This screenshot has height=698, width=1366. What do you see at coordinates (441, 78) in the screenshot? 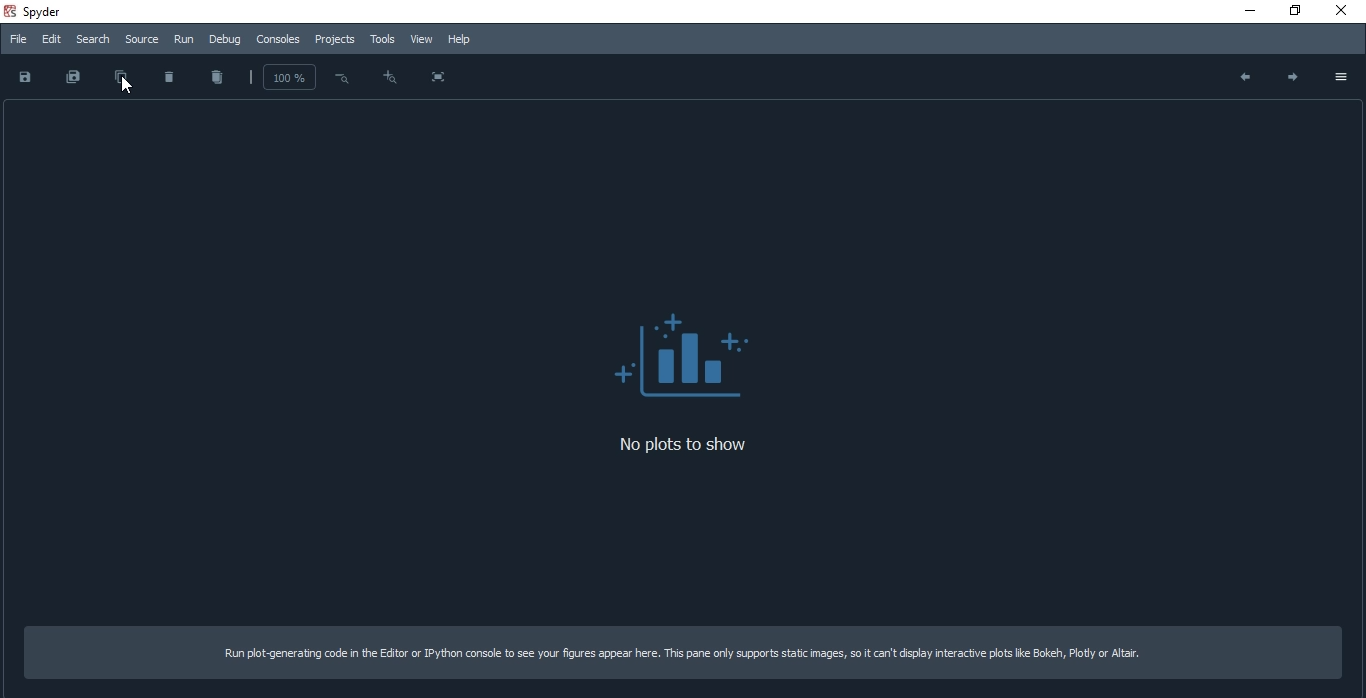
I see `fullscreen` at bounding box center [441, 78].